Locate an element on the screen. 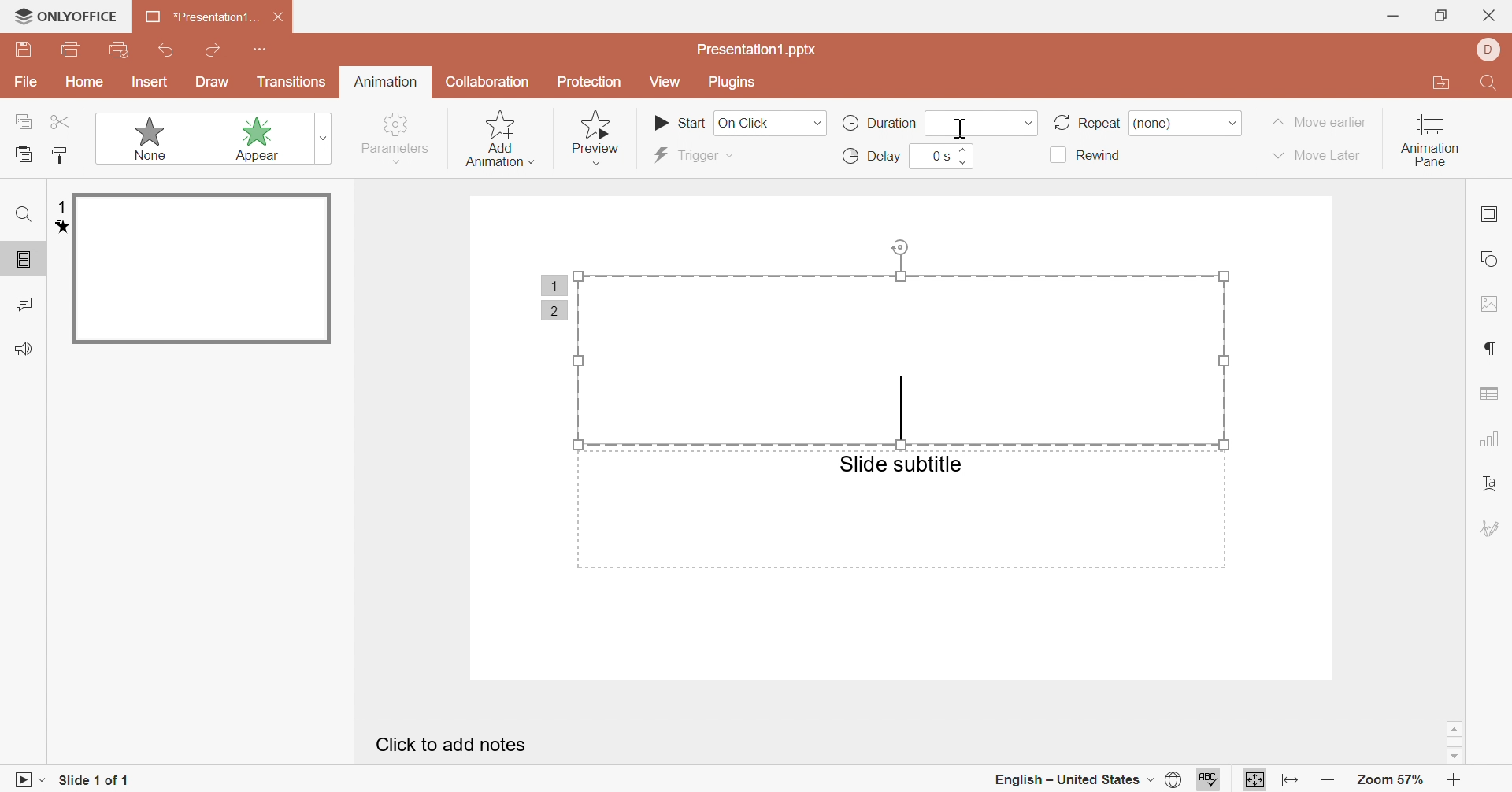 The height and width of the screenshot is (792, 1512). scroll bar is located at coordinates (1455, 744).